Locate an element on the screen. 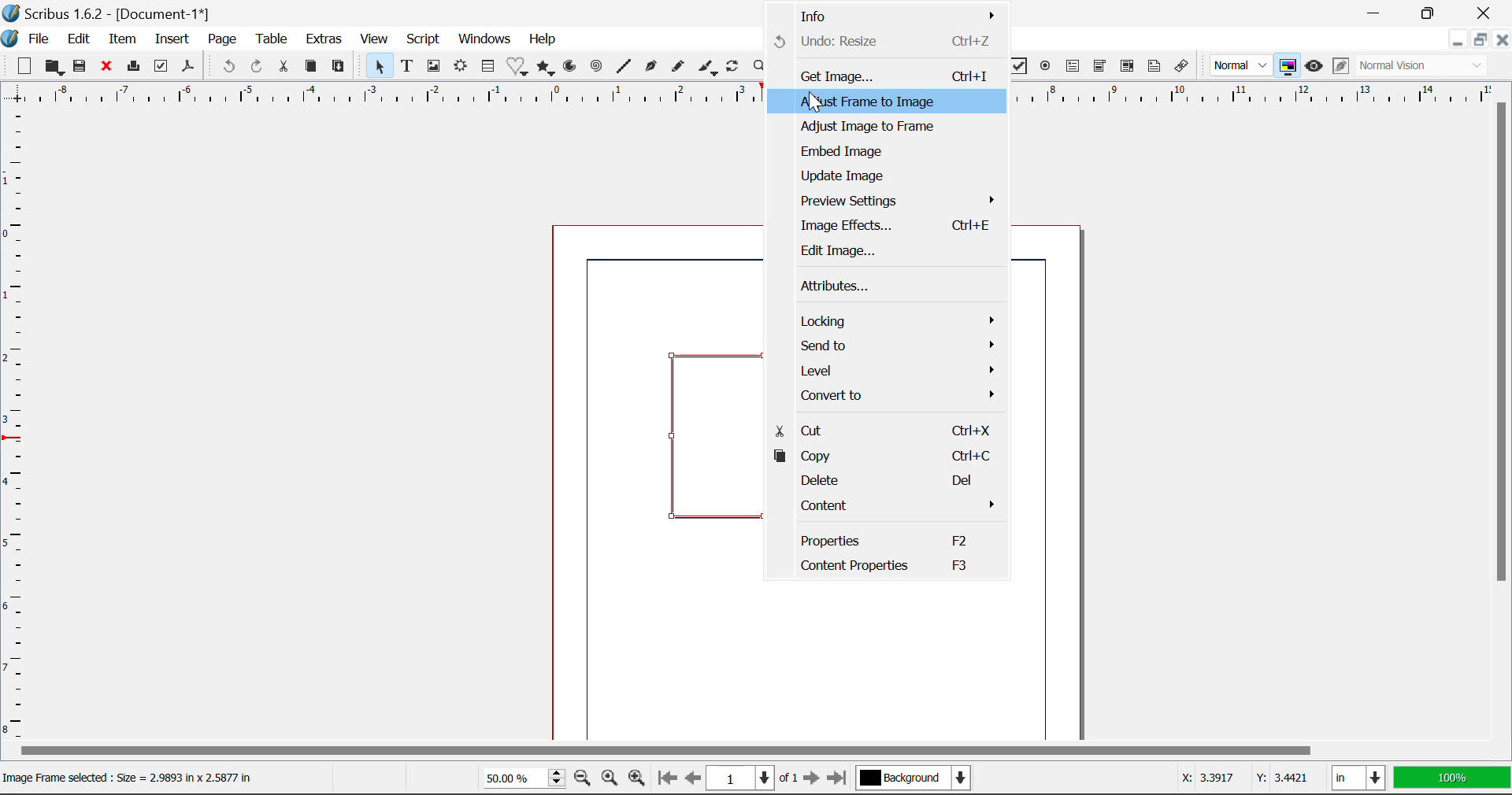  Script is located at coordinates (422, 39).